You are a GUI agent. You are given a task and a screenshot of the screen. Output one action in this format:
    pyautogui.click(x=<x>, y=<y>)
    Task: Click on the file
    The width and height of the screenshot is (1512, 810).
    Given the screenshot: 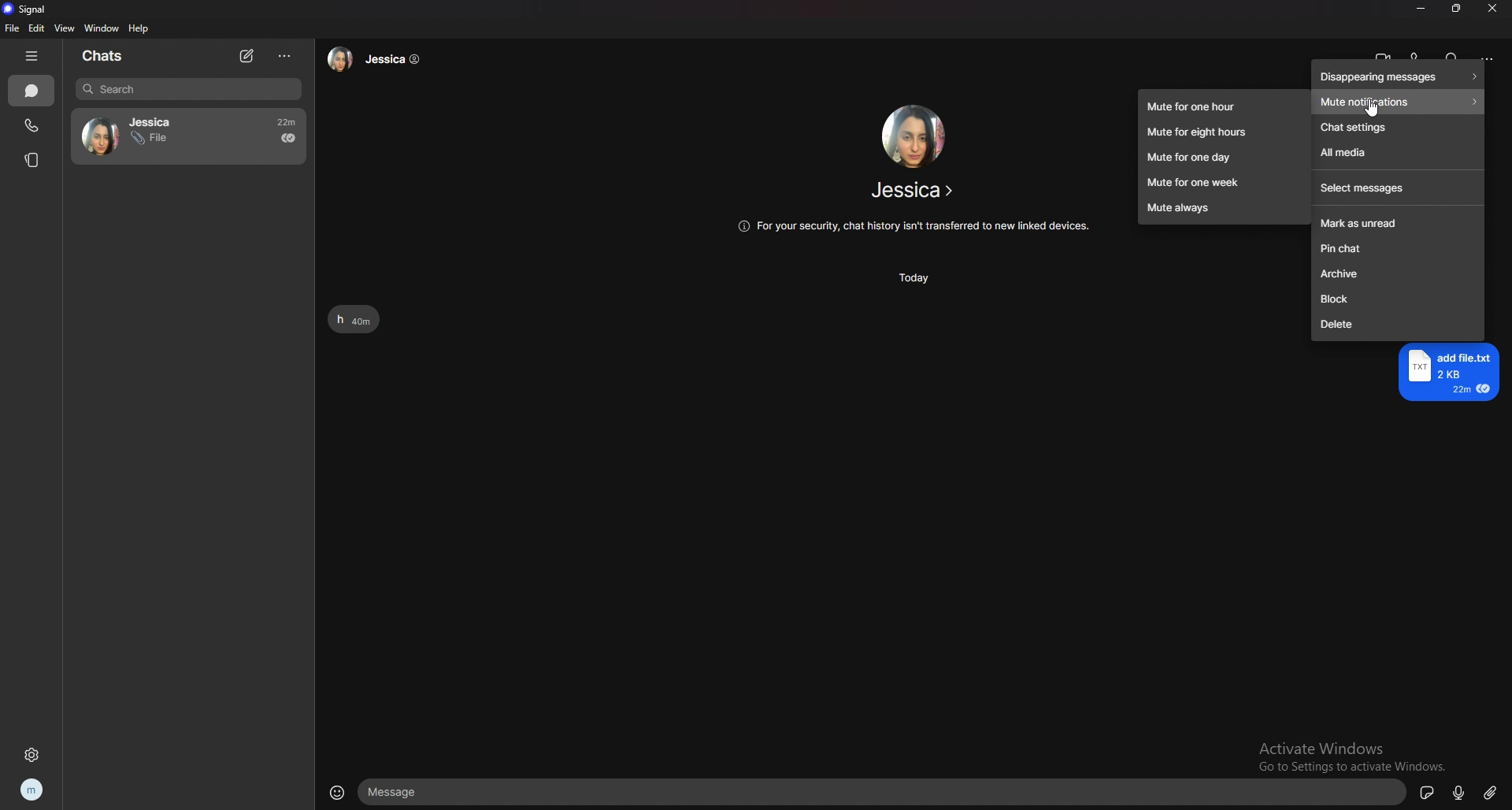 What is the action you would take?
    pyautogui.click(x=13, y=28)
    